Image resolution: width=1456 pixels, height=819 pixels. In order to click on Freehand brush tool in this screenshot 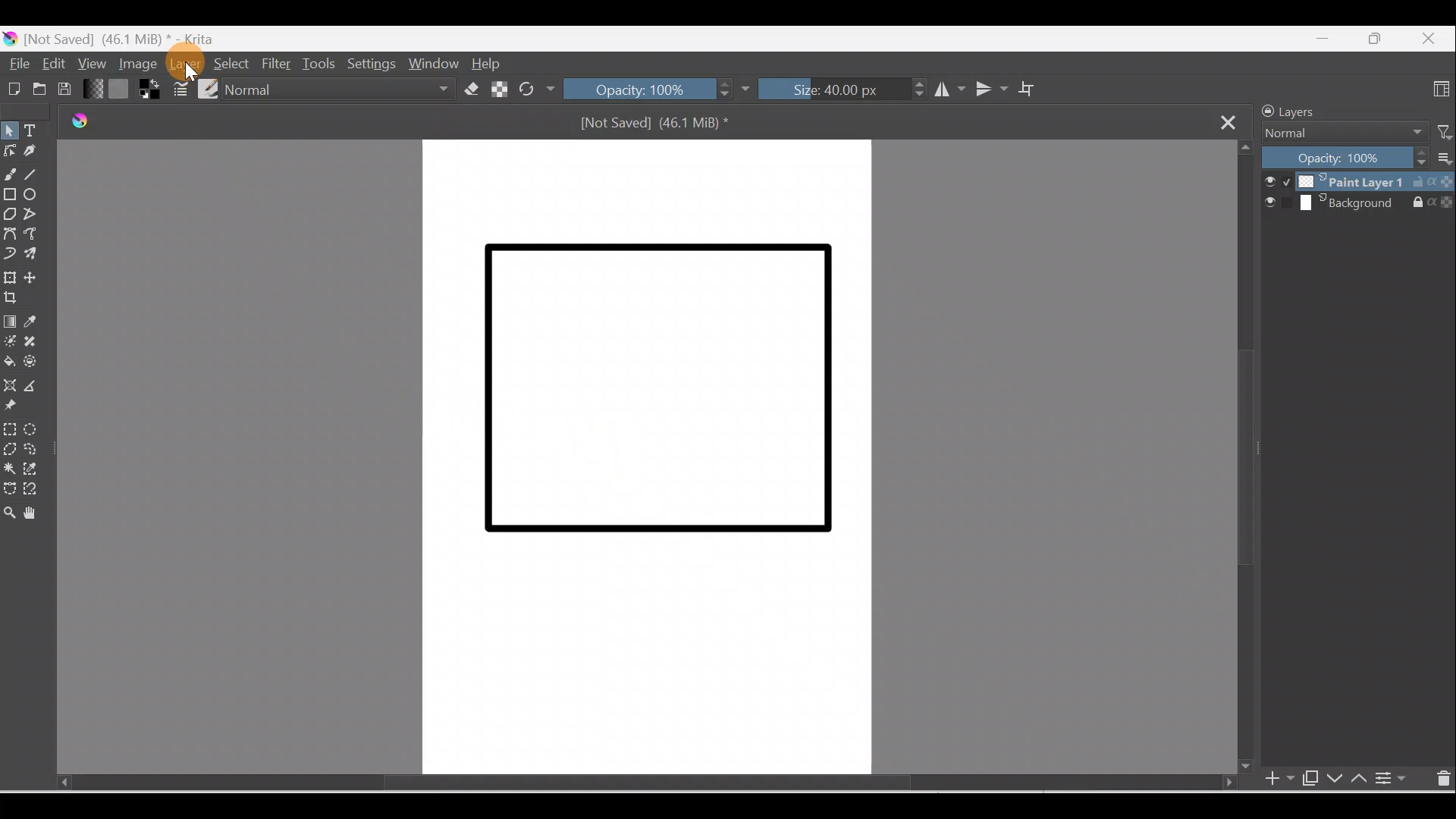, I will do `click(11, 175)`.